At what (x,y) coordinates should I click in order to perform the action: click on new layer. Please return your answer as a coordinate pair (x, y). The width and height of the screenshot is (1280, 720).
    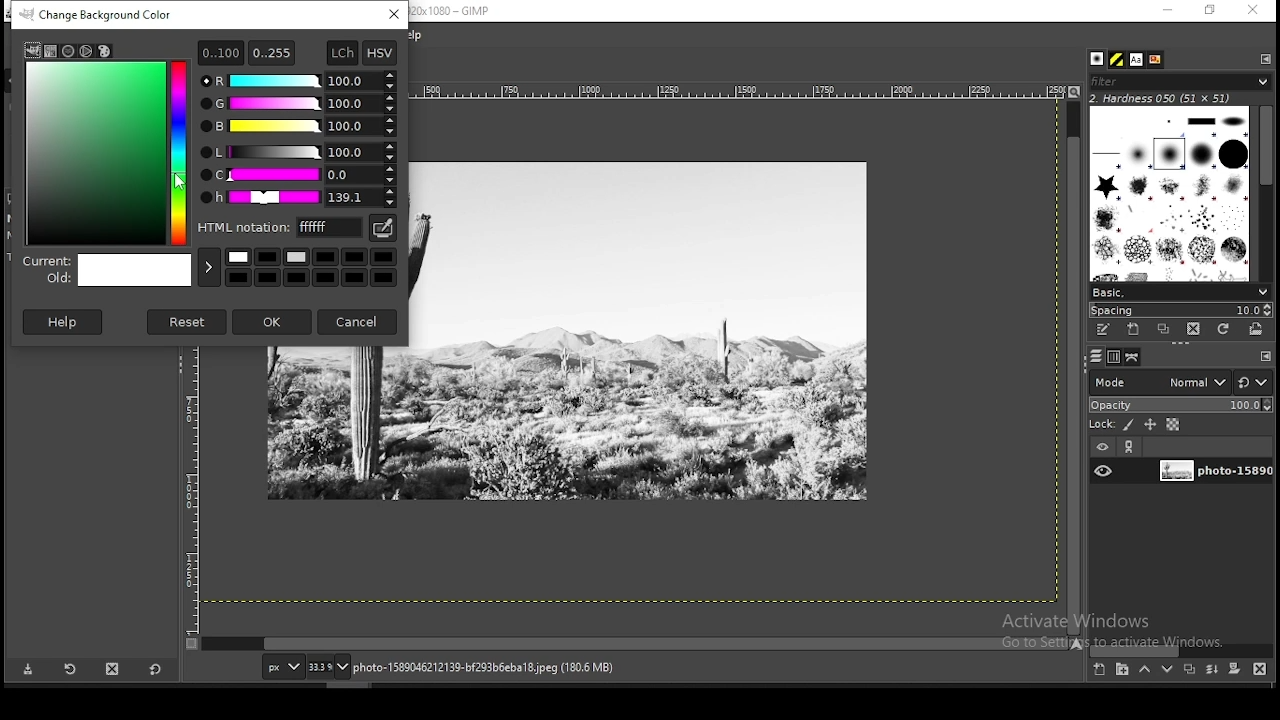
    Looking at the image, I should click on (1101, 671).